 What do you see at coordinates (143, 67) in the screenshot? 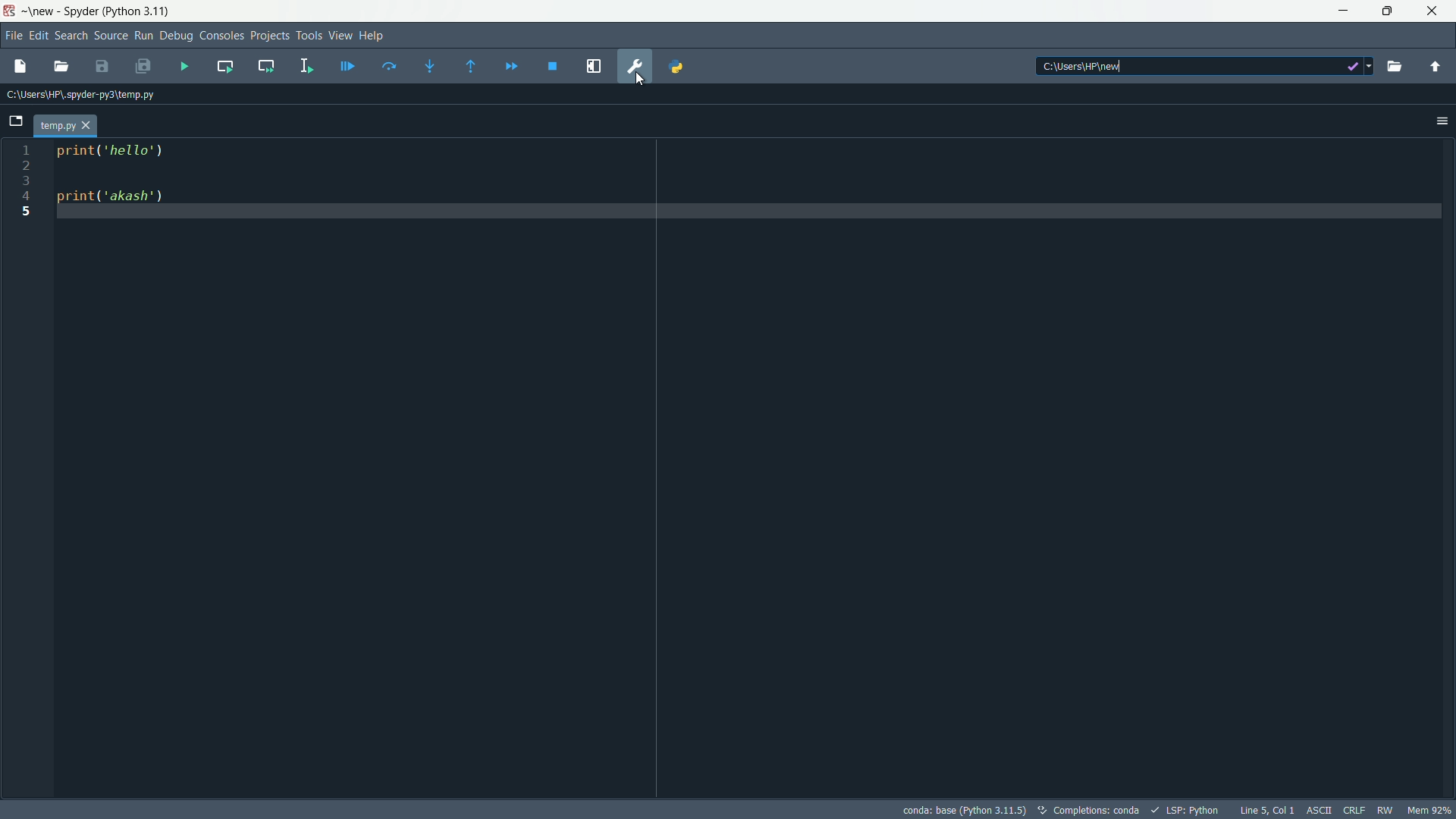
I see `save all files` at bounding box center [143, 67].